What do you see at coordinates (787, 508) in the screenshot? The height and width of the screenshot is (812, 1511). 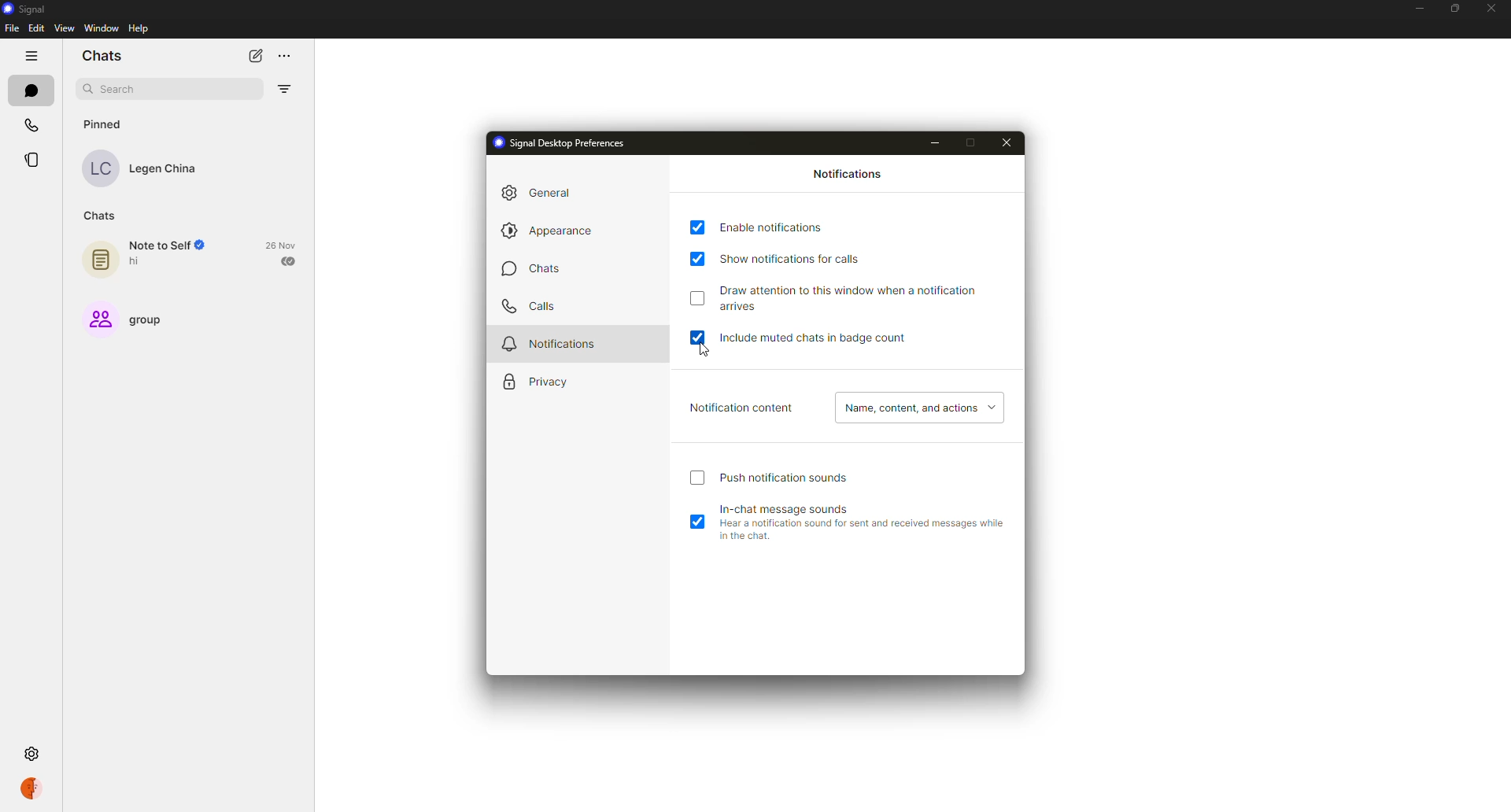 I see `in-chat message sounds` at bounding box center [787, 508].